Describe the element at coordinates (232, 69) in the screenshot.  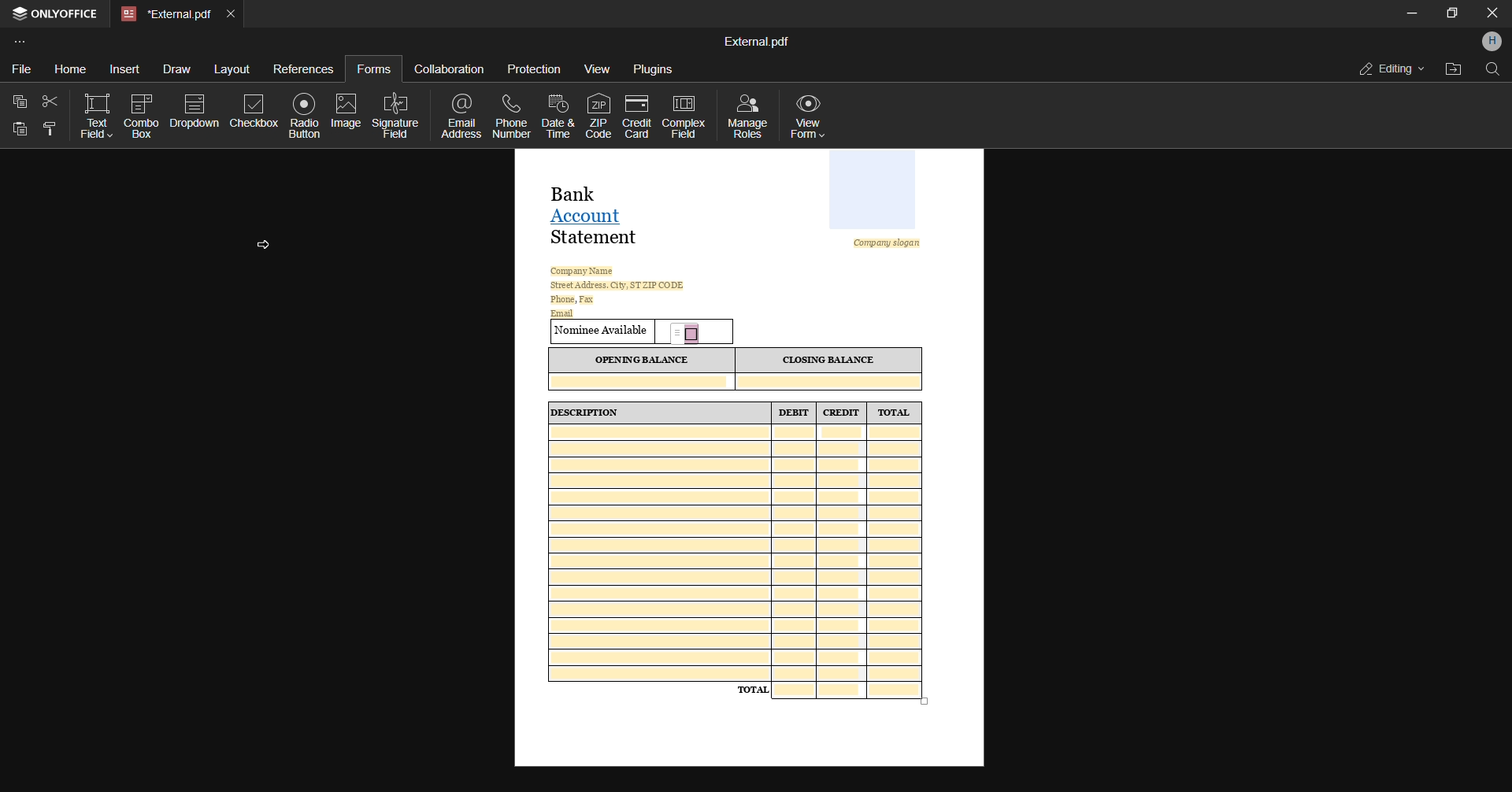
I see `layout` at that location.